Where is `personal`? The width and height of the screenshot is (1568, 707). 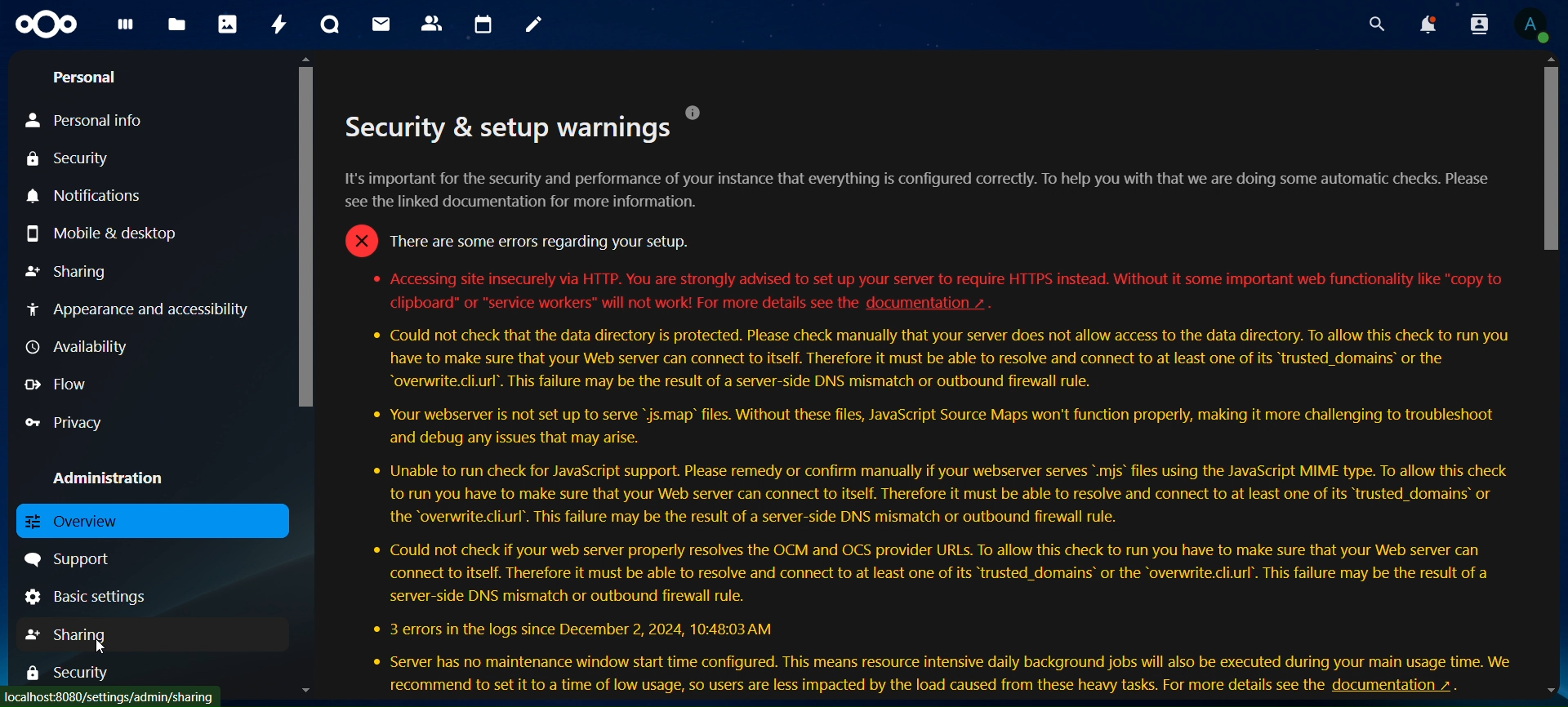
personal is located at coordinates (87, 78).